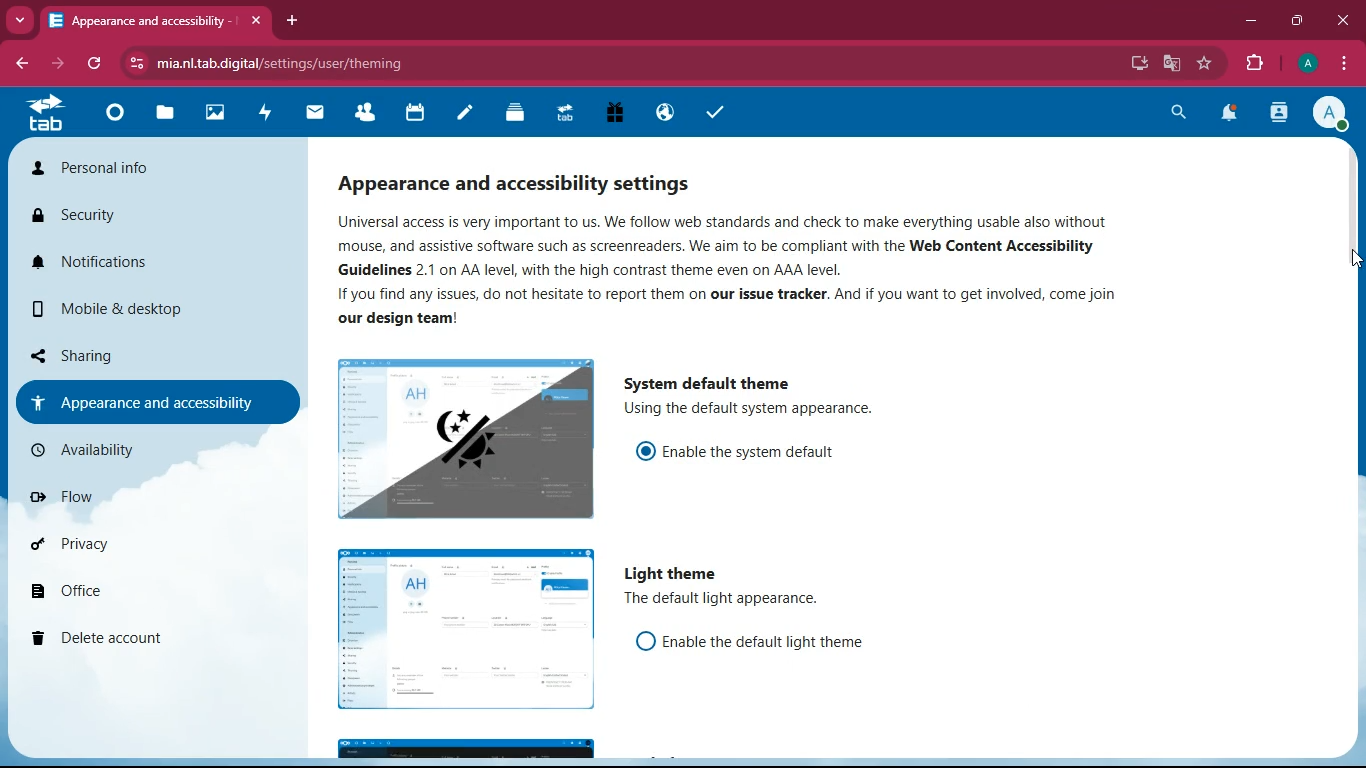  Describe the element at coordinates (155, 314) in the screenshot. I see `mobile` at that location.